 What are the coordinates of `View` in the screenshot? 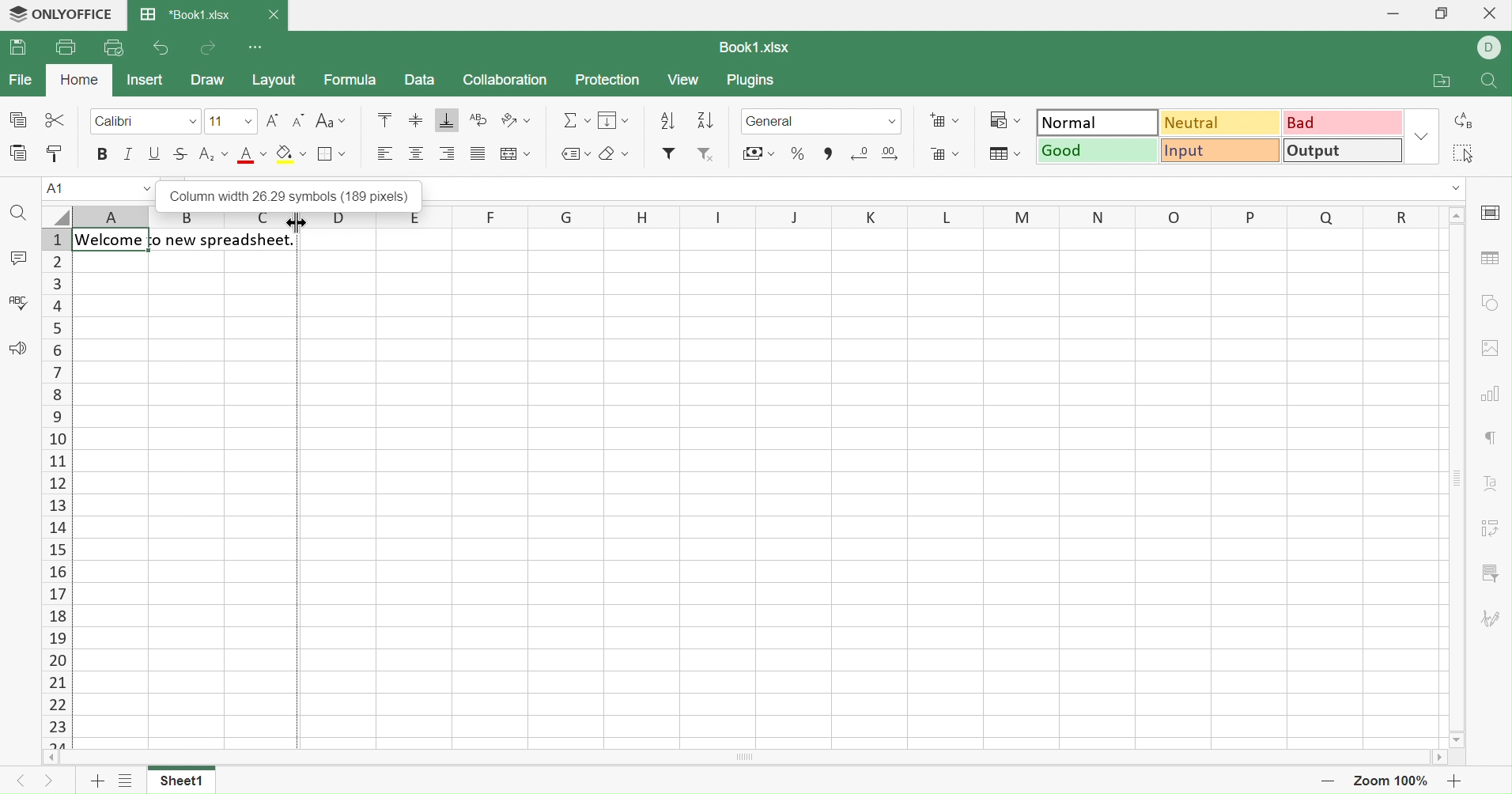 It's located at (686, 81).